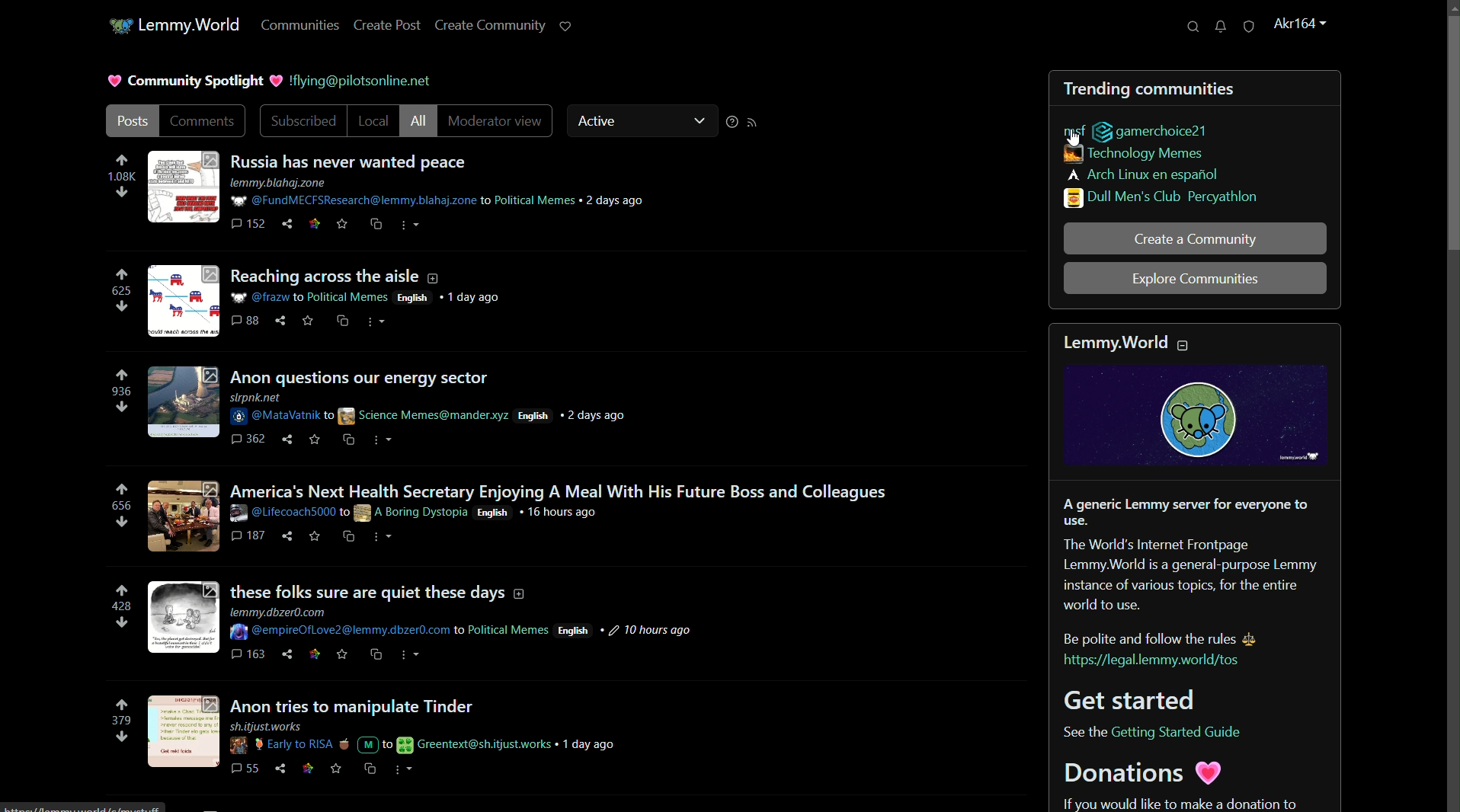 This screenshot has width=1460, height=812. I want to click on post details, so click(423, 736).